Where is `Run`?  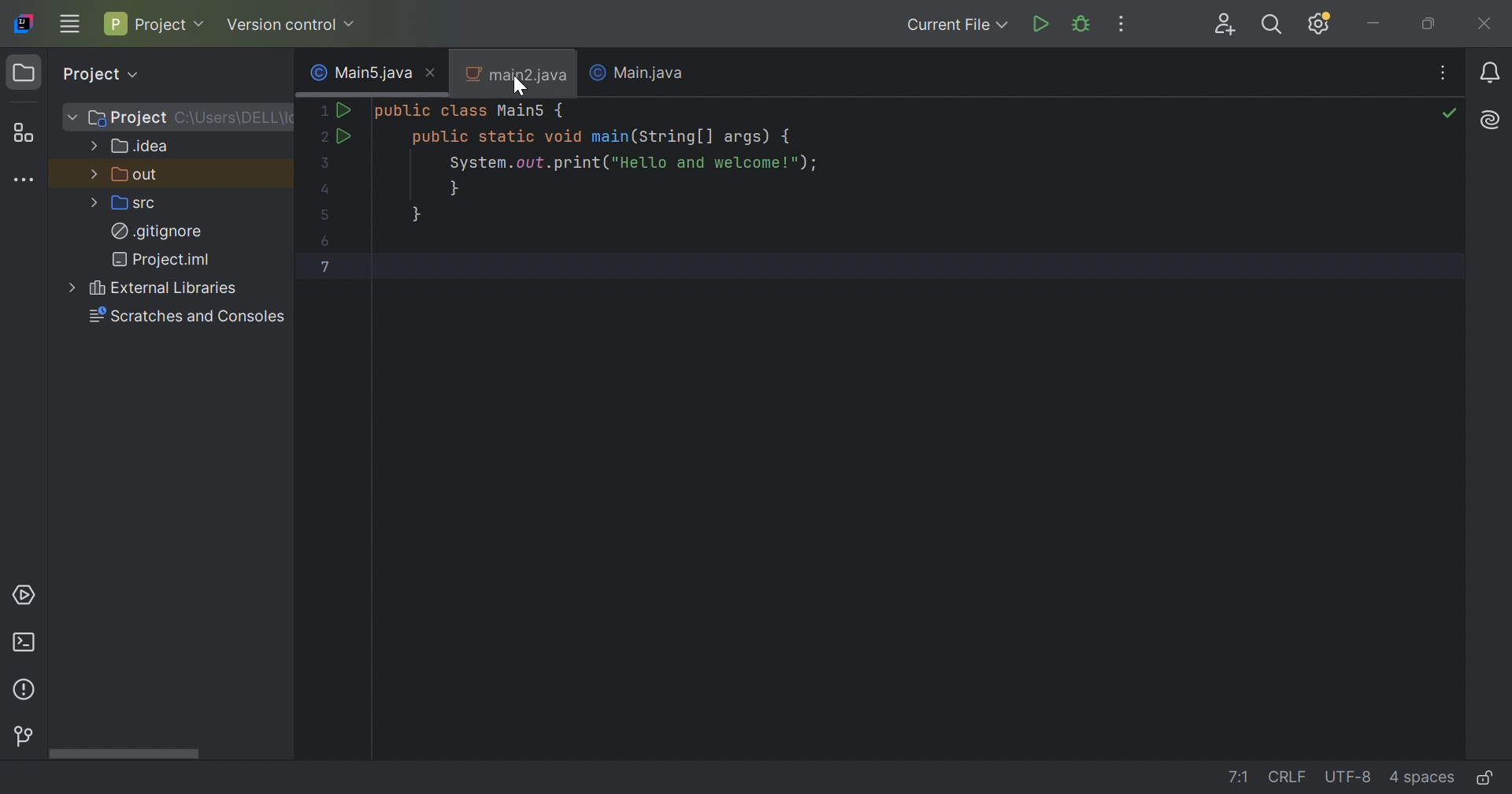 Run is located at coordinates (348, 109).